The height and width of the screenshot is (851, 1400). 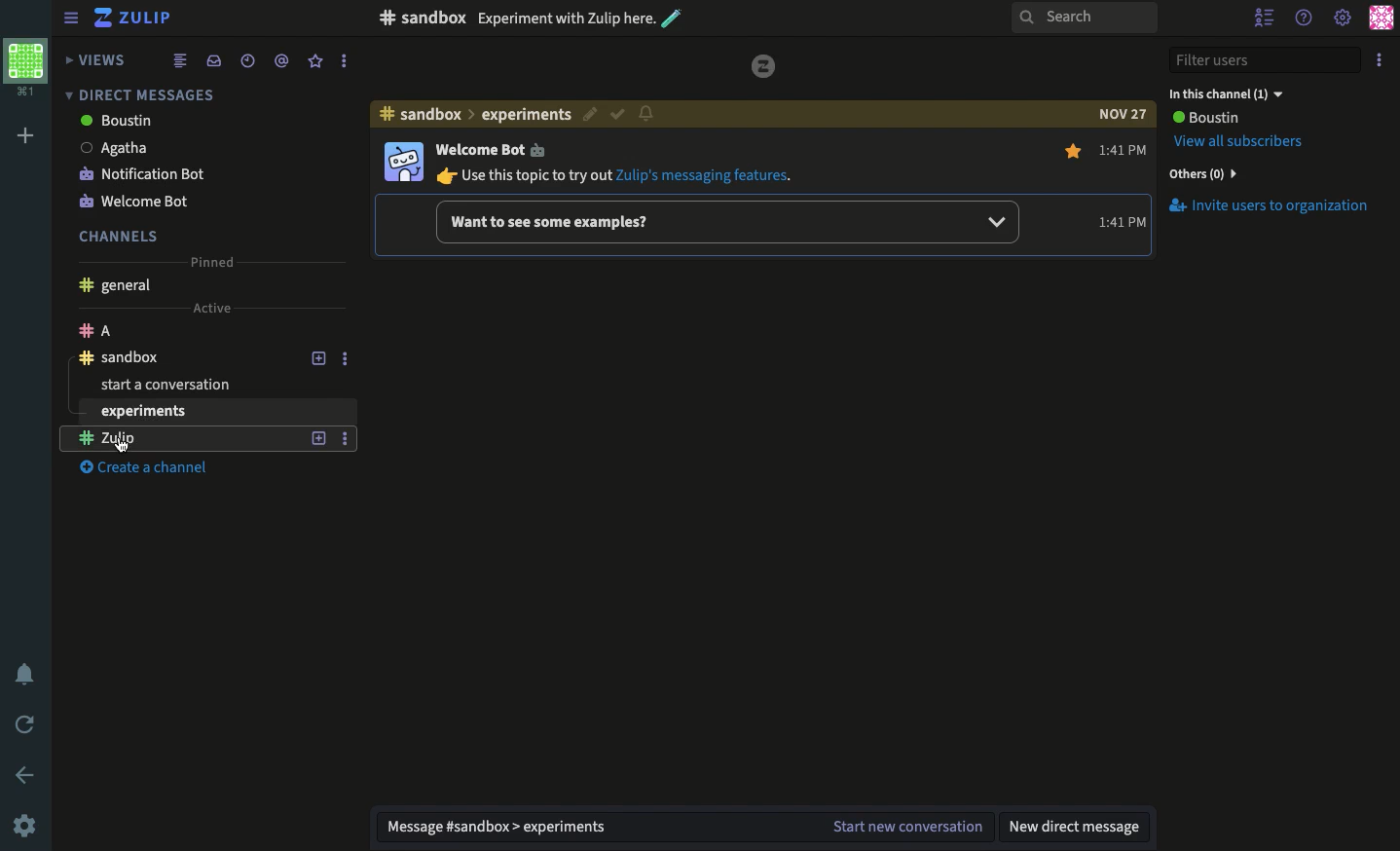 What do you see at coordinates (1381, 18) in the screenshot?
I see `Profile` at bounding box center [1381, 18].